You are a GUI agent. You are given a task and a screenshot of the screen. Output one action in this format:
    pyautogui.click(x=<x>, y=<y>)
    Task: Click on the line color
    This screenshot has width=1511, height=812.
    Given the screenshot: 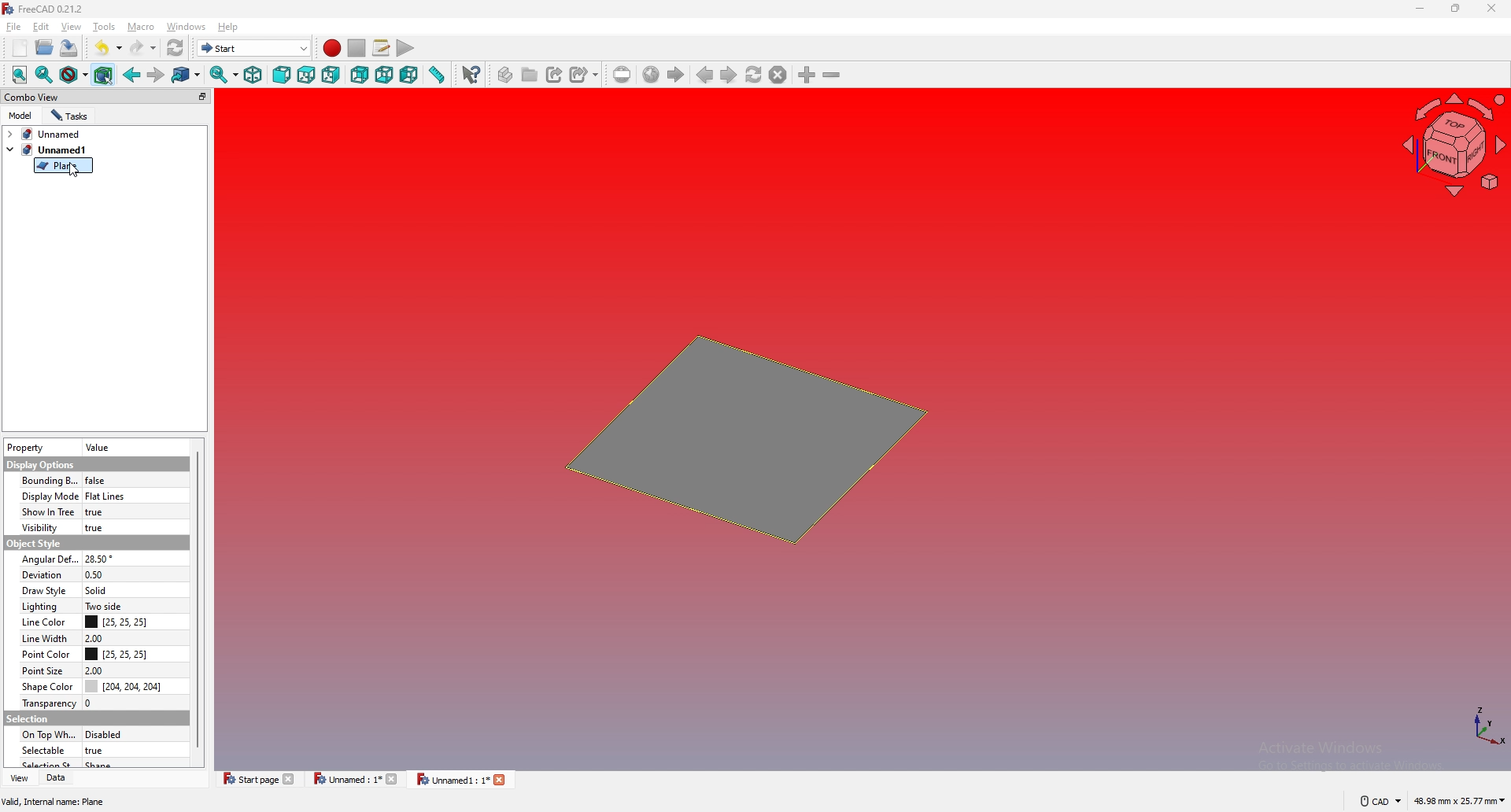 What is the action you would take?
    pyautogui.click(x=40, y=623)
    